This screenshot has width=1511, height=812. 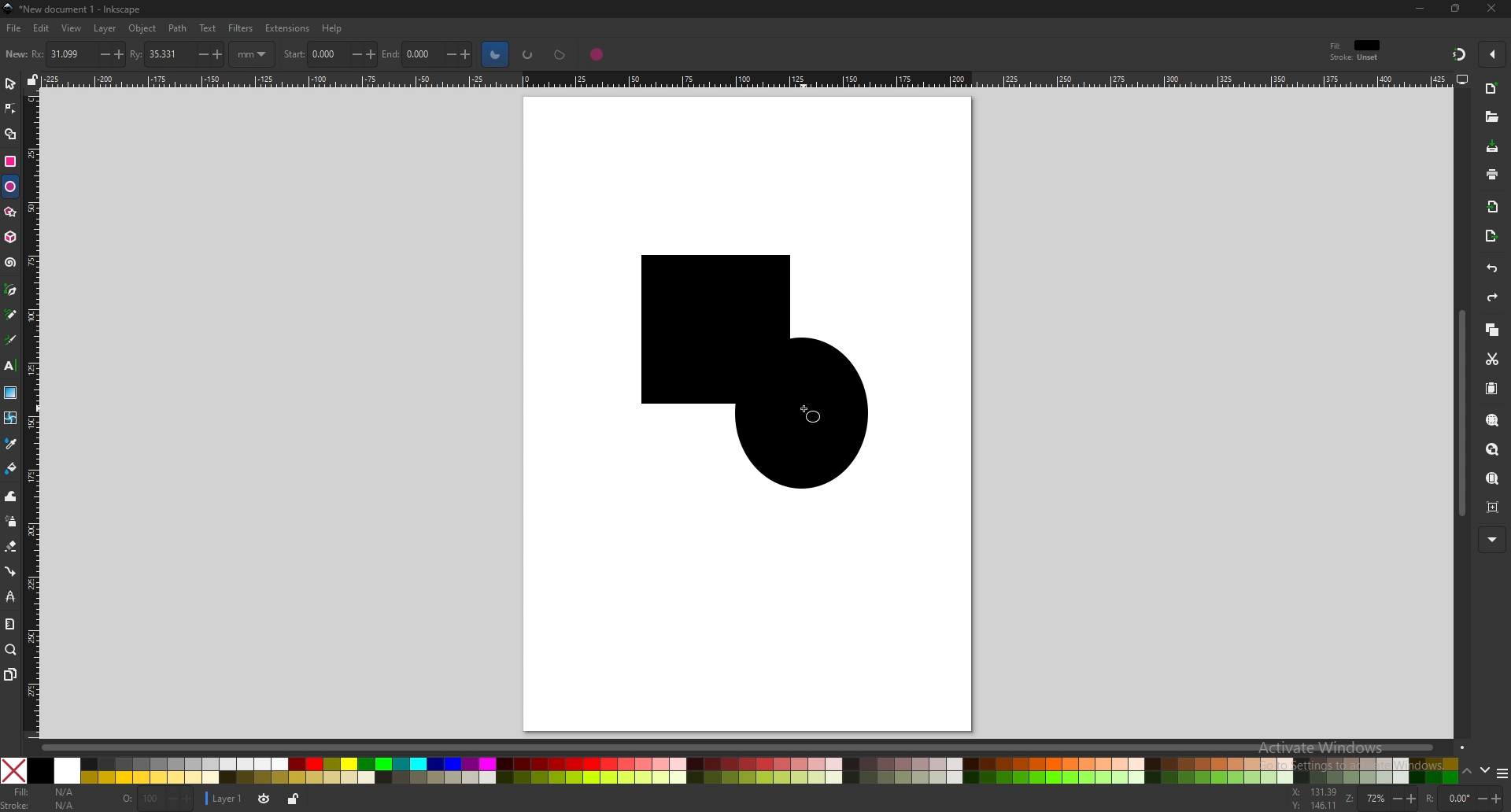 What do you see at coordinates (1455, 9) in the screenshot?
I see `resize` at bounding box center [1455, 9].